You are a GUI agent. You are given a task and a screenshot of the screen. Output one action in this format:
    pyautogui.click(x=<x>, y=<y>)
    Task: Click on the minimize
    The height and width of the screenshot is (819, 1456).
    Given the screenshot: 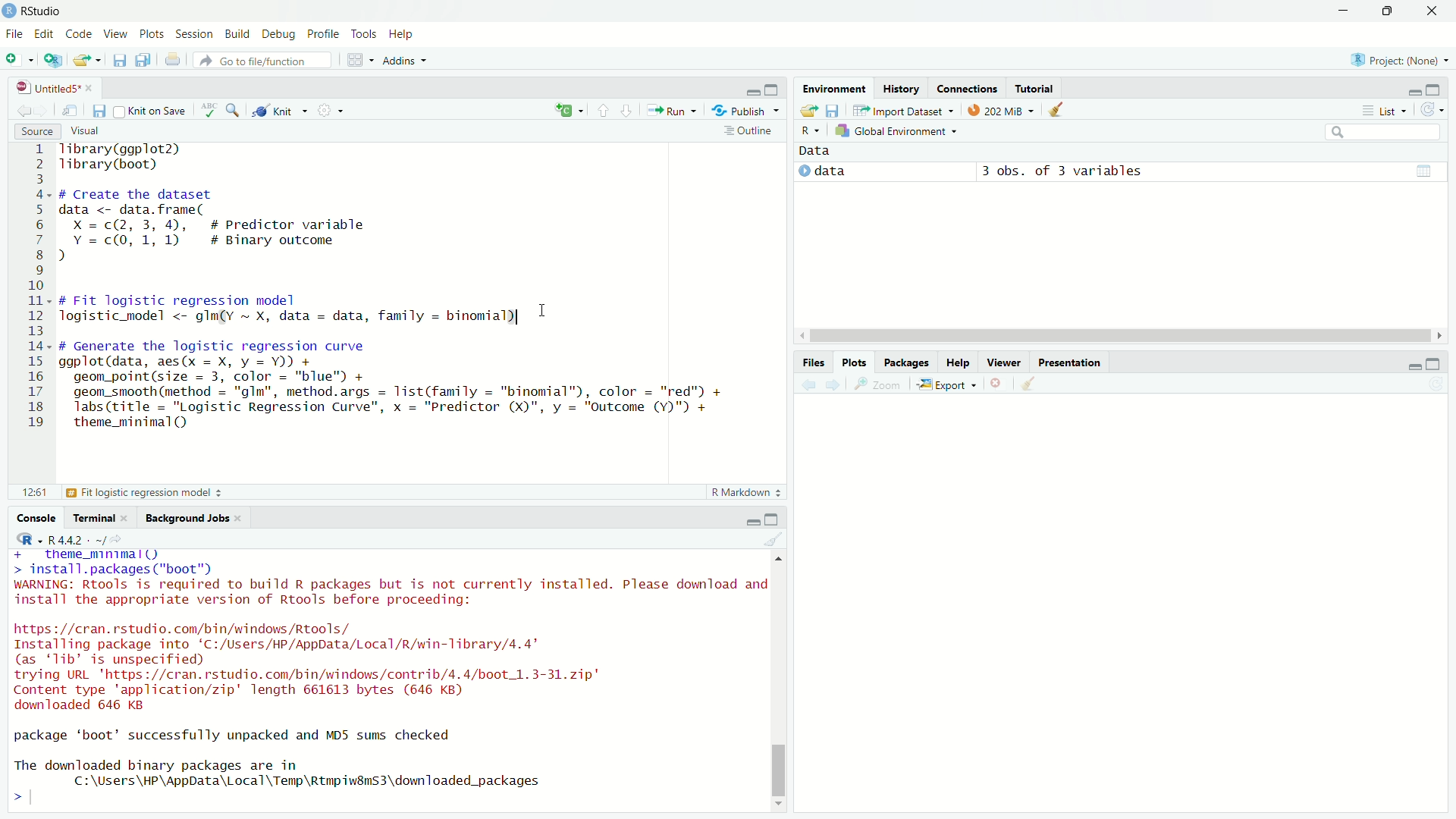 What is the action you would take?
    pyautogui.click(x=1343, y=11)
    